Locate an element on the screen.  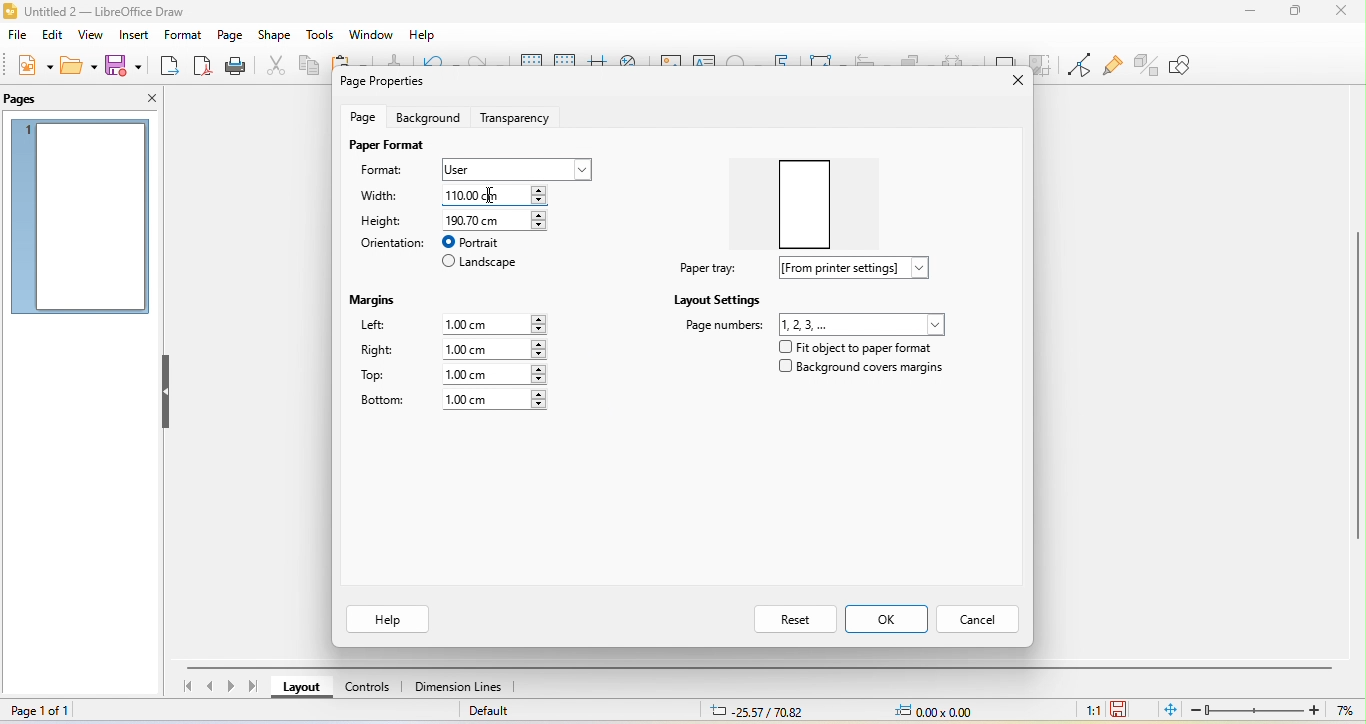
width is located at coordinates (386, 197).